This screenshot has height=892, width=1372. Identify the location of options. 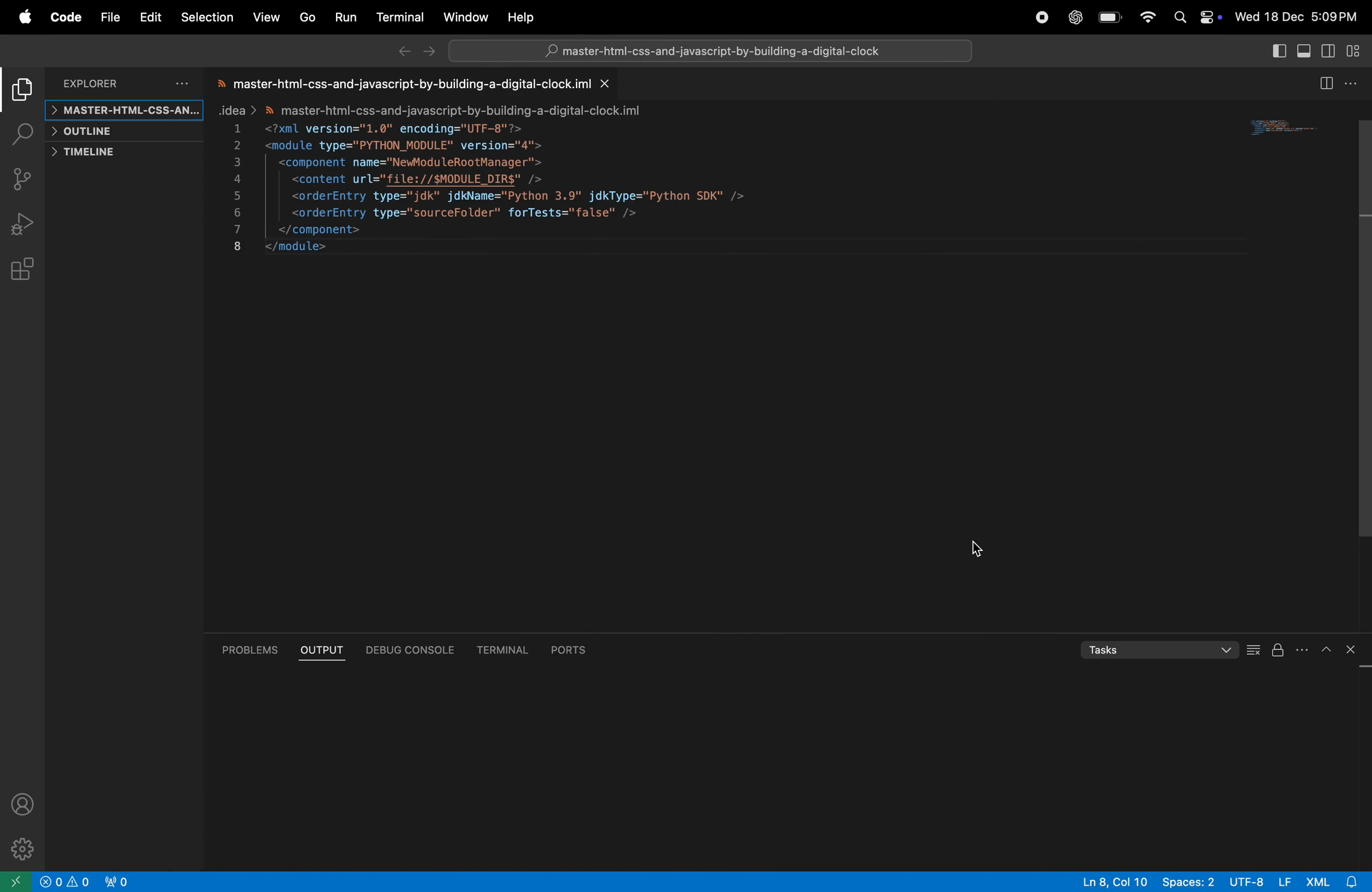
(182, 84).